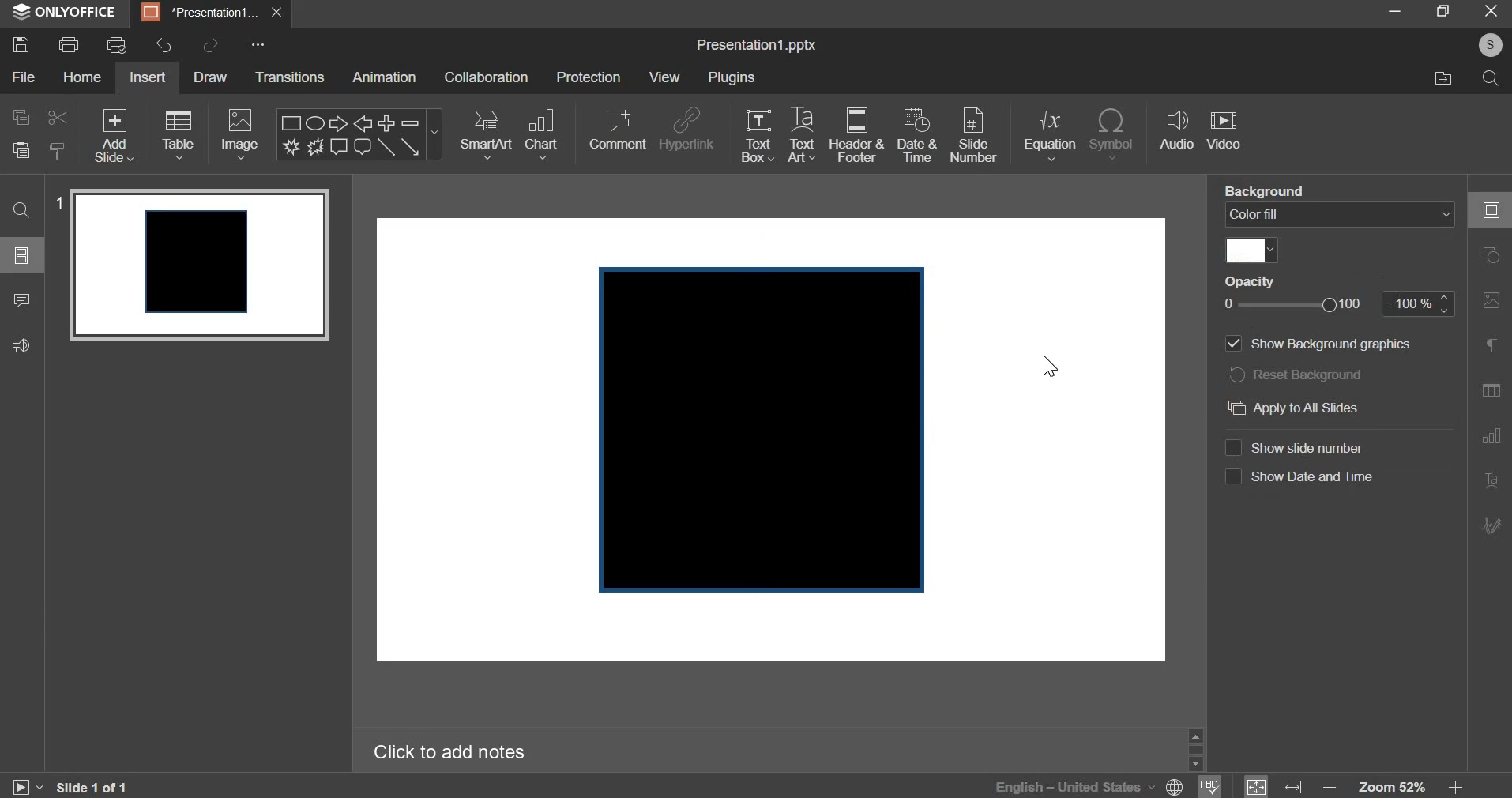 This screenshot has height=798, width=1512. I want to click on Cursor, so click(1044, 365).